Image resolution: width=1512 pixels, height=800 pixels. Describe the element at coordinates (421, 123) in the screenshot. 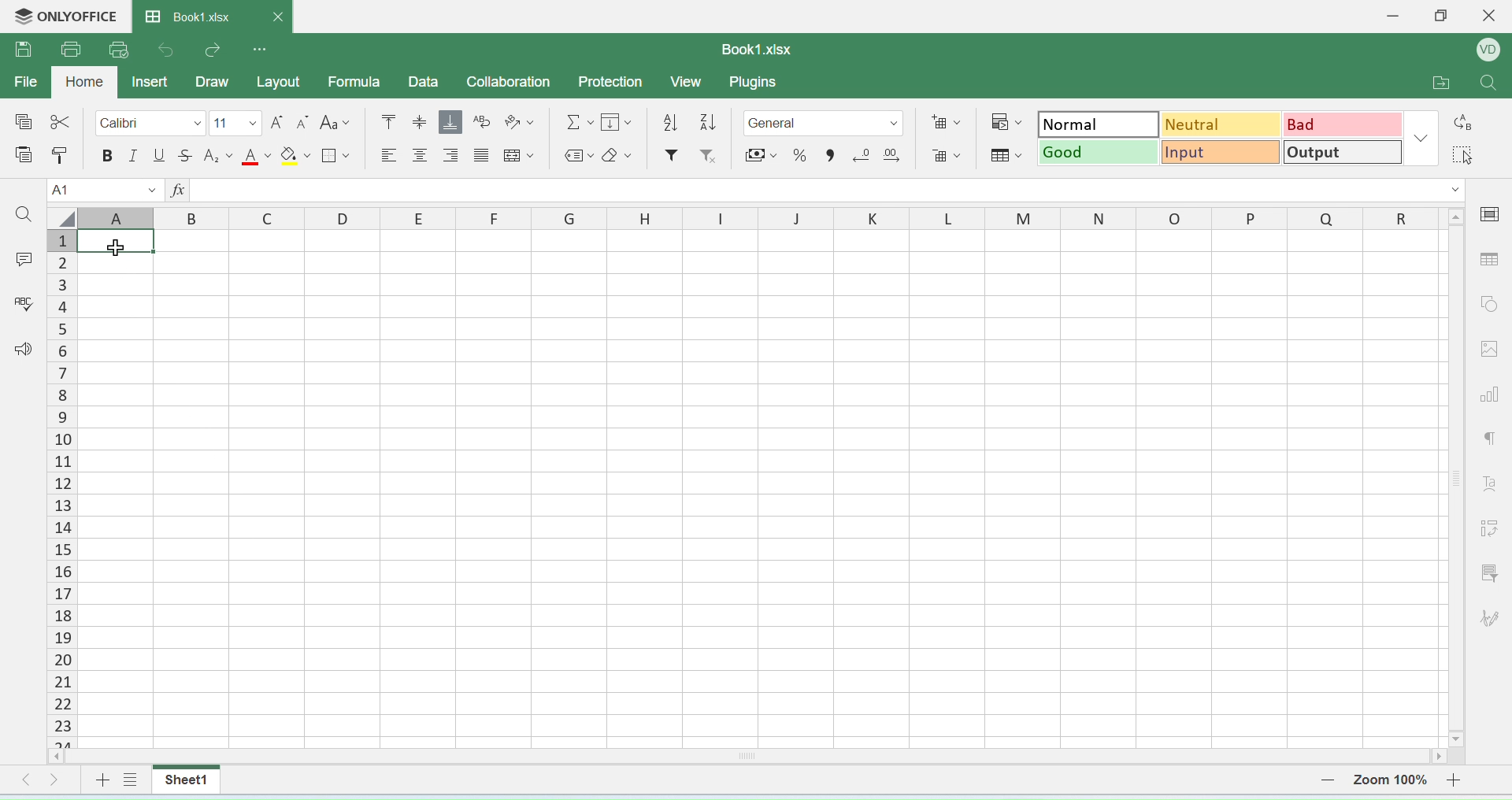

I see `align center` at that location.